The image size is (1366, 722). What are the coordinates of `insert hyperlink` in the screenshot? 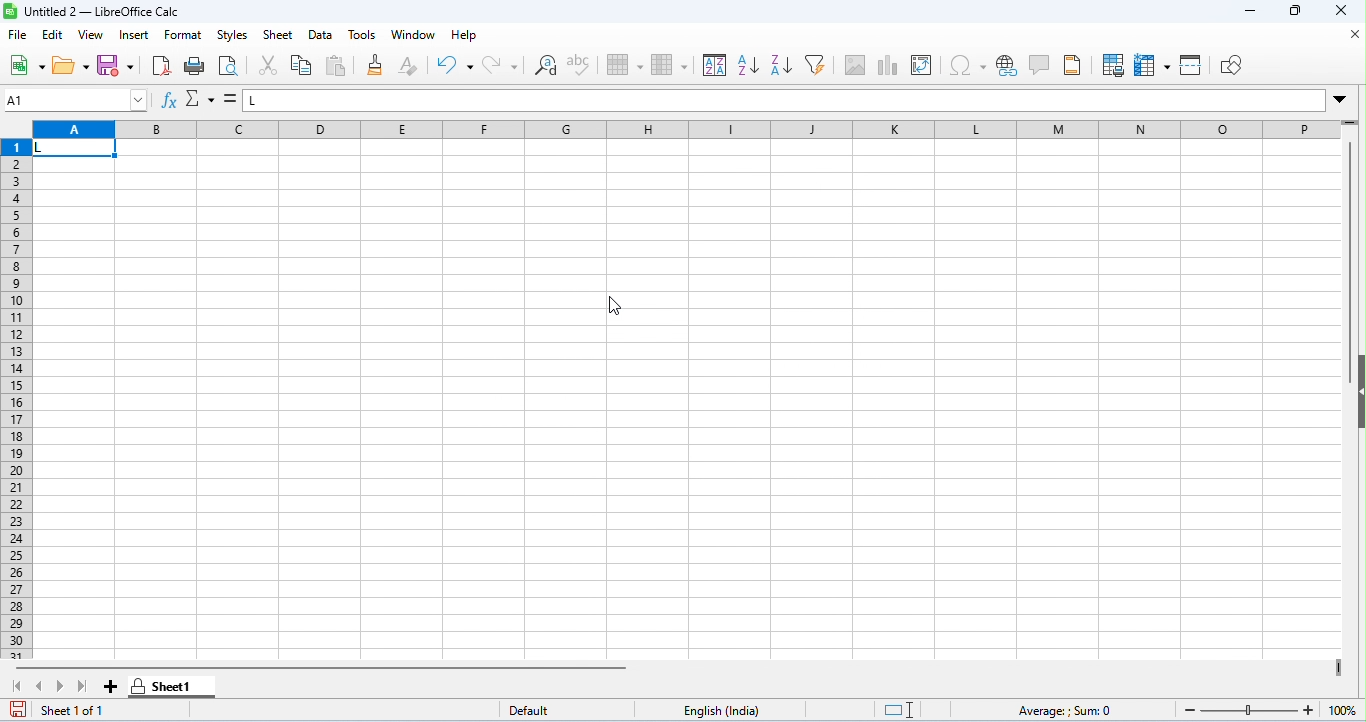 It's located at (1007, 66).